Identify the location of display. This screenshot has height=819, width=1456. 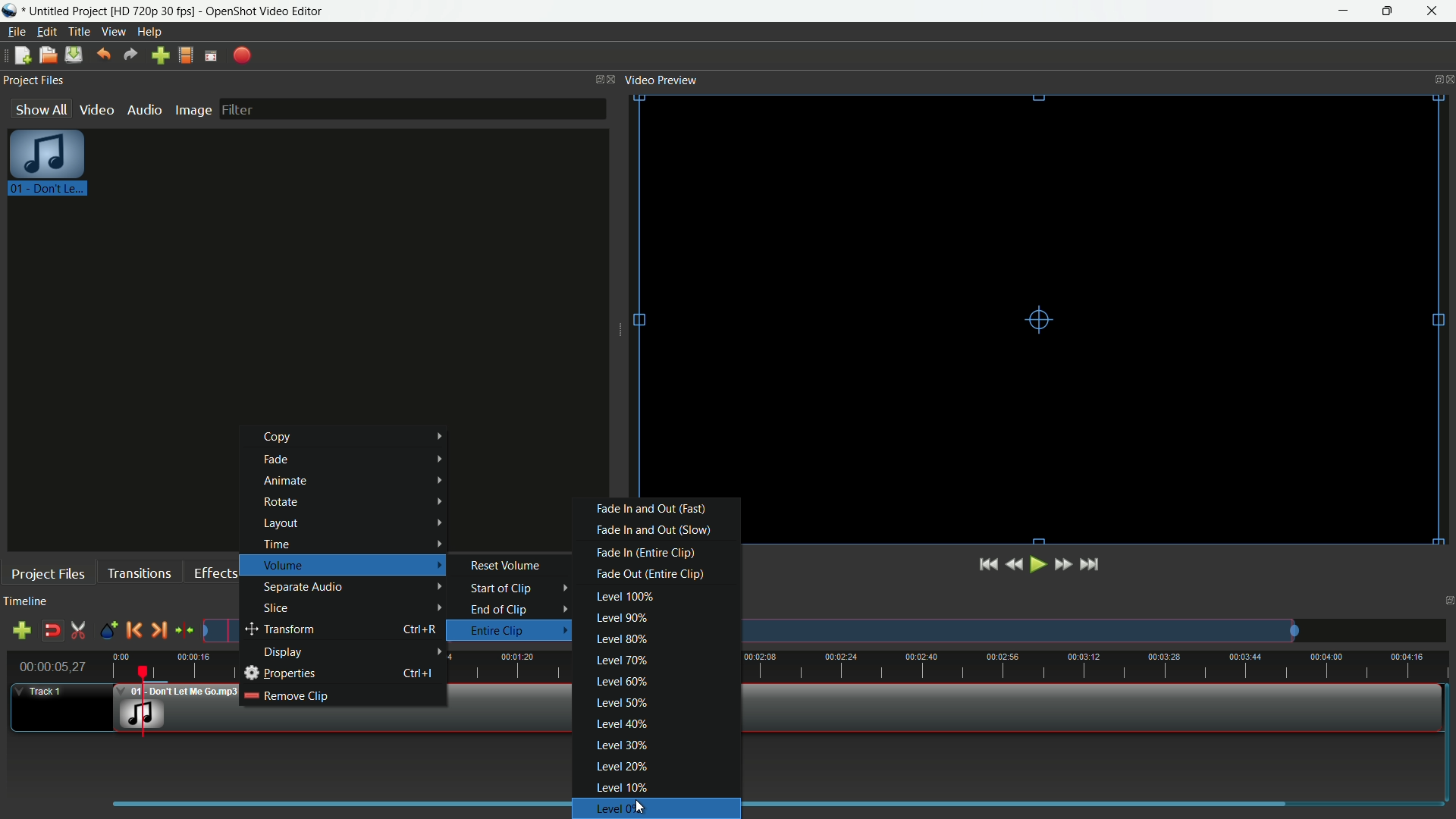
(355, 653).